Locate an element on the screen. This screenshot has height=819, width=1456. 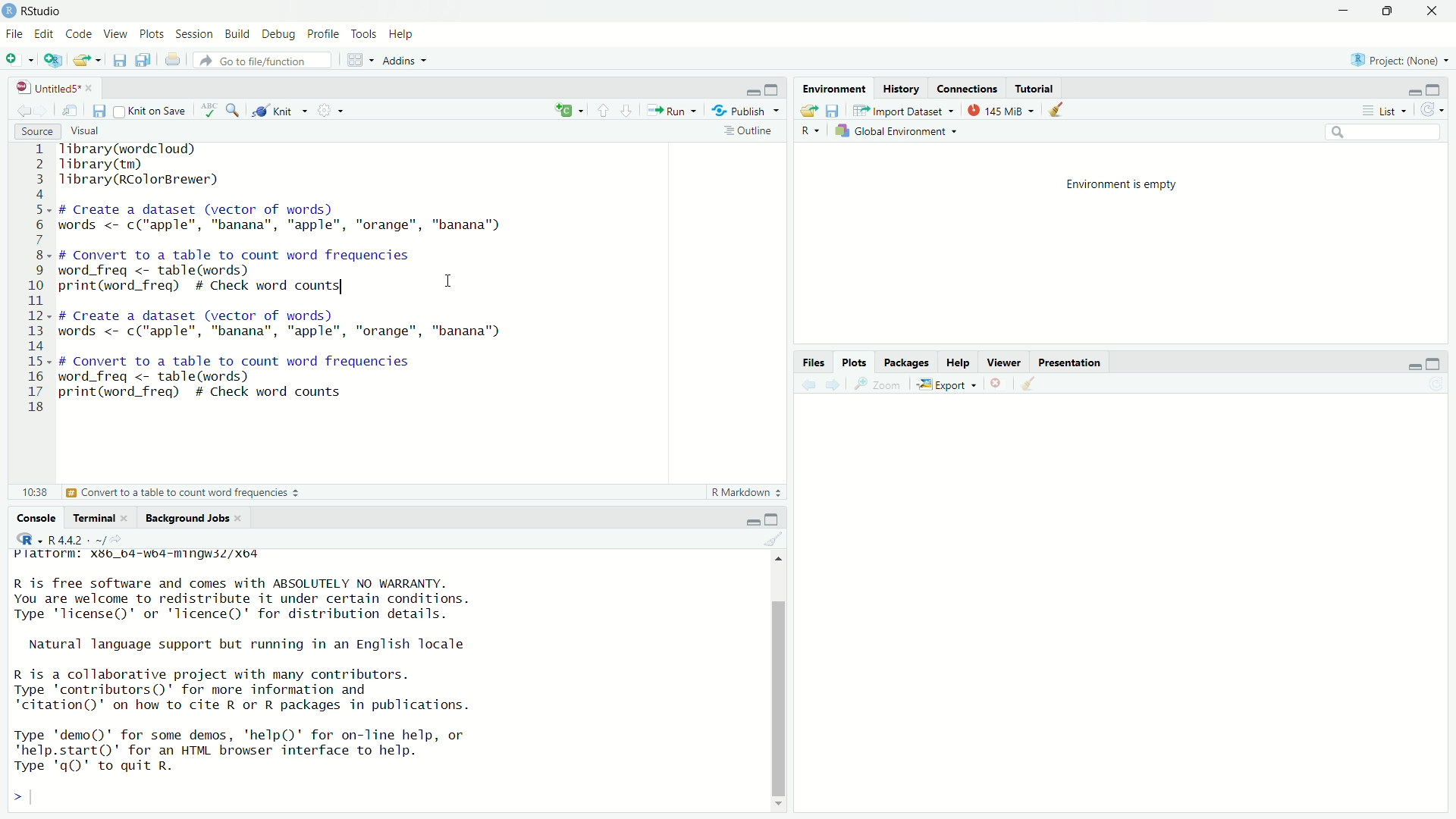
Create a Project is located at coordinates (55, 61).